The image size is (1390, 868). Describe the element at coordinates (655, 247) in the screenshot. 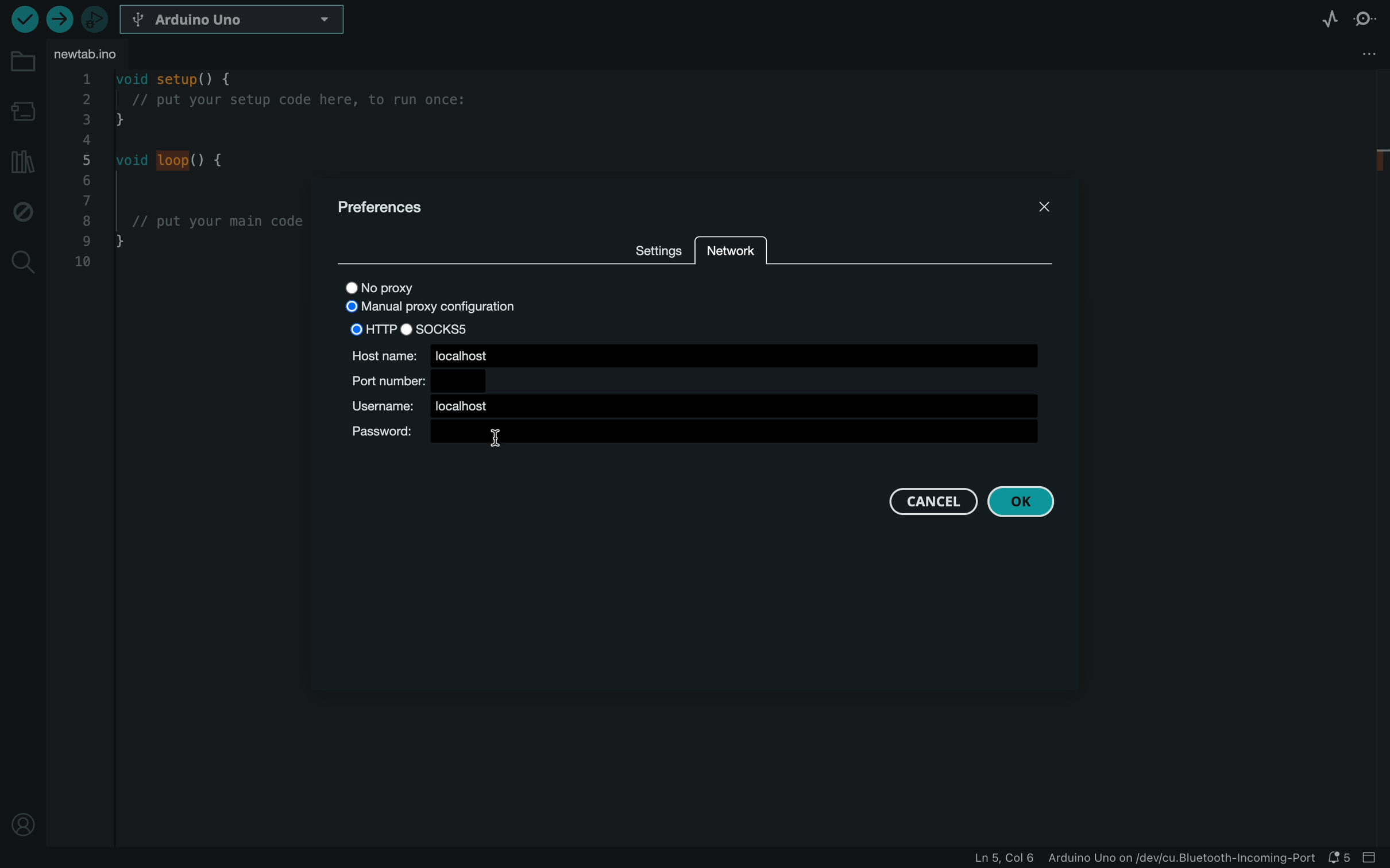

I see `settings` at that location.